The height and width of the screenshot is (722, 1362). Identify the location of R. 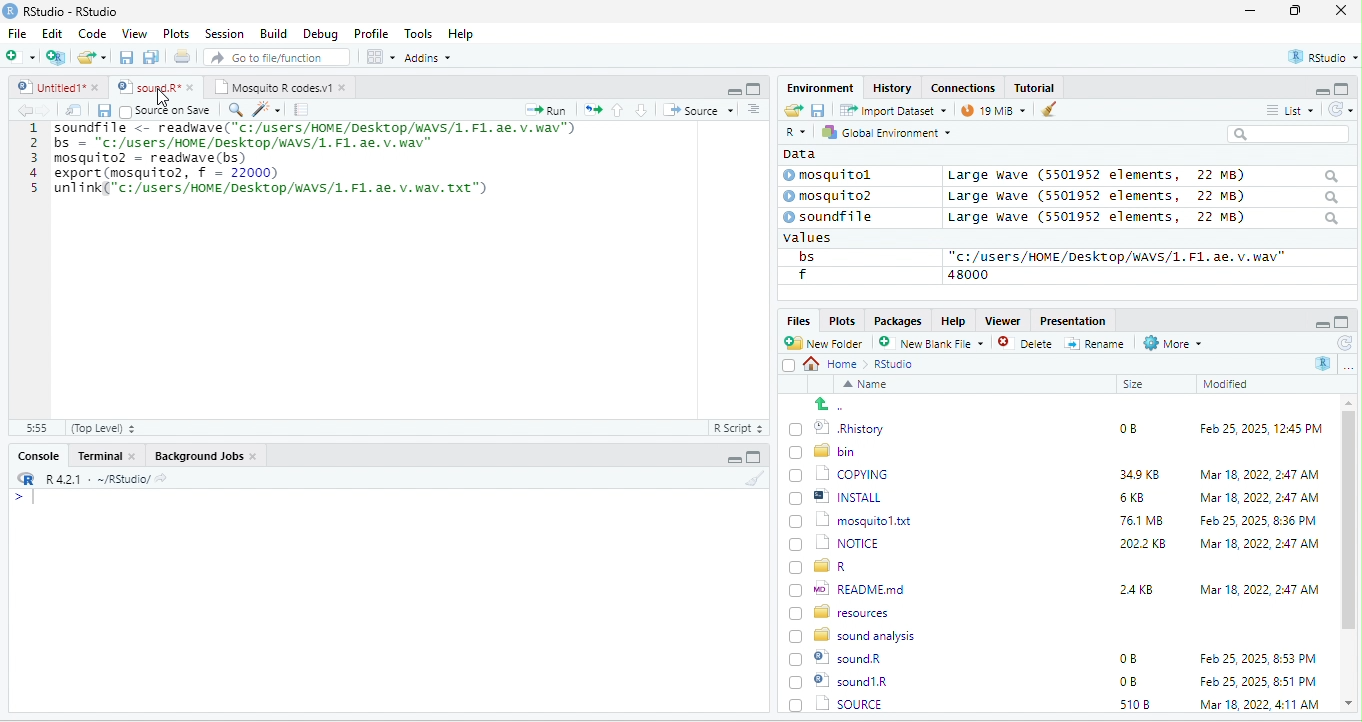
(794, 133).